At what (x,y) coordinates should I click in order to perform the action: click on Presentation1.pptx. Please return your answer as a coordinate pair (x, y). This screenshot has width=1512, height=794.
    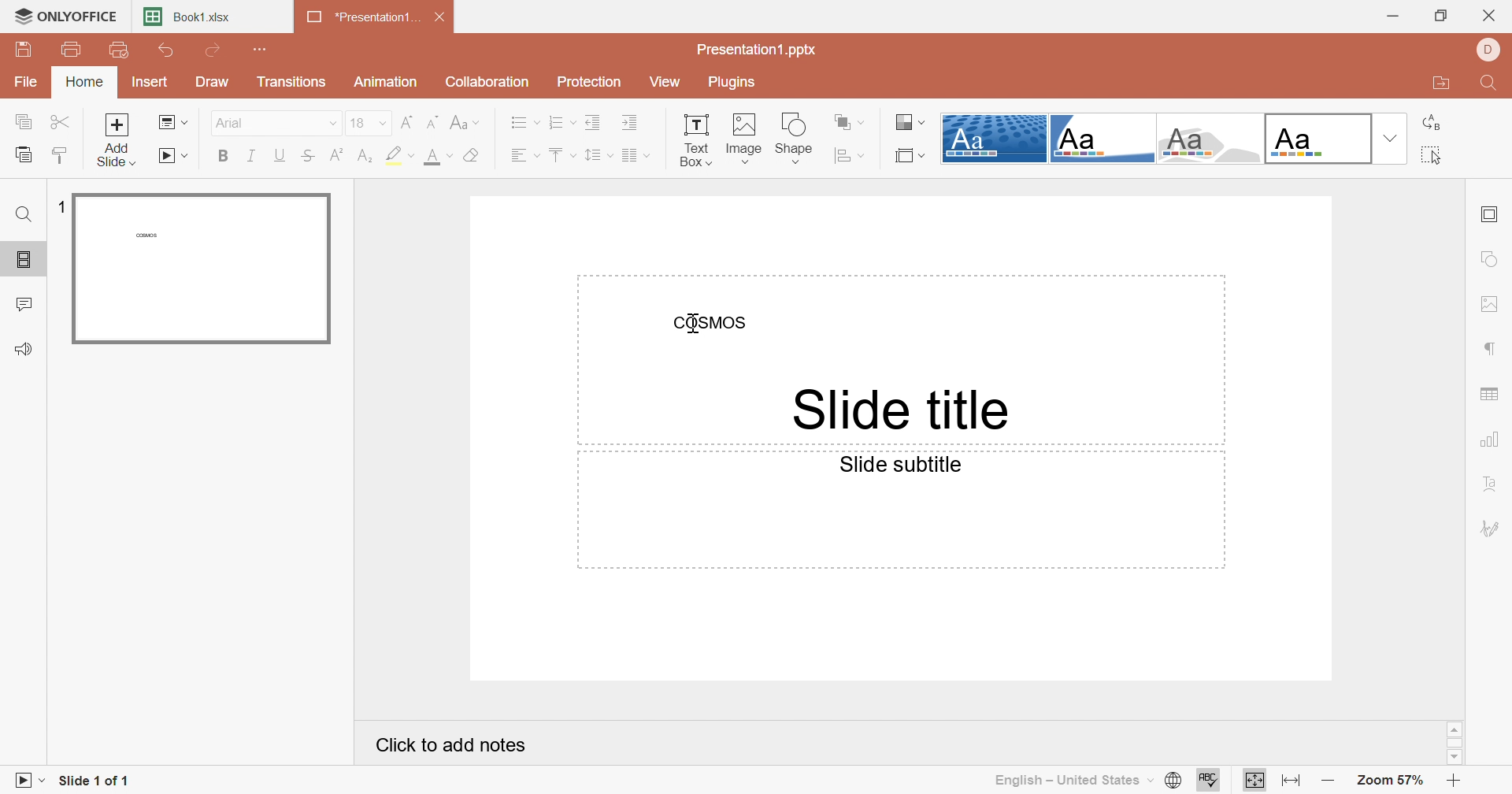
    Looking at the image, I should click on (754, 49).